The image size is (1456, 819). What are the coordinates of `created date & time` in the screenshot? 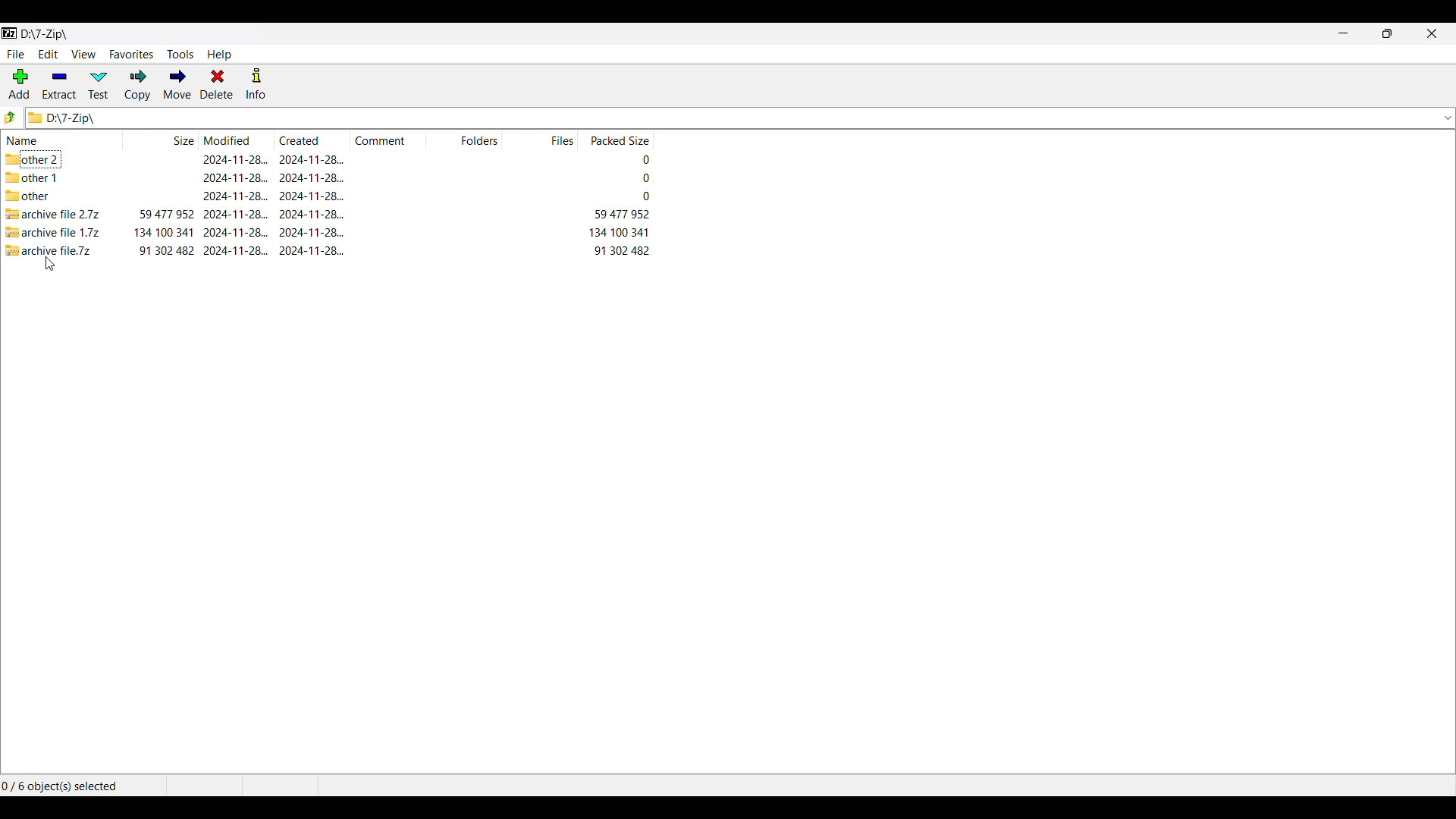 It's located at (312, 196).